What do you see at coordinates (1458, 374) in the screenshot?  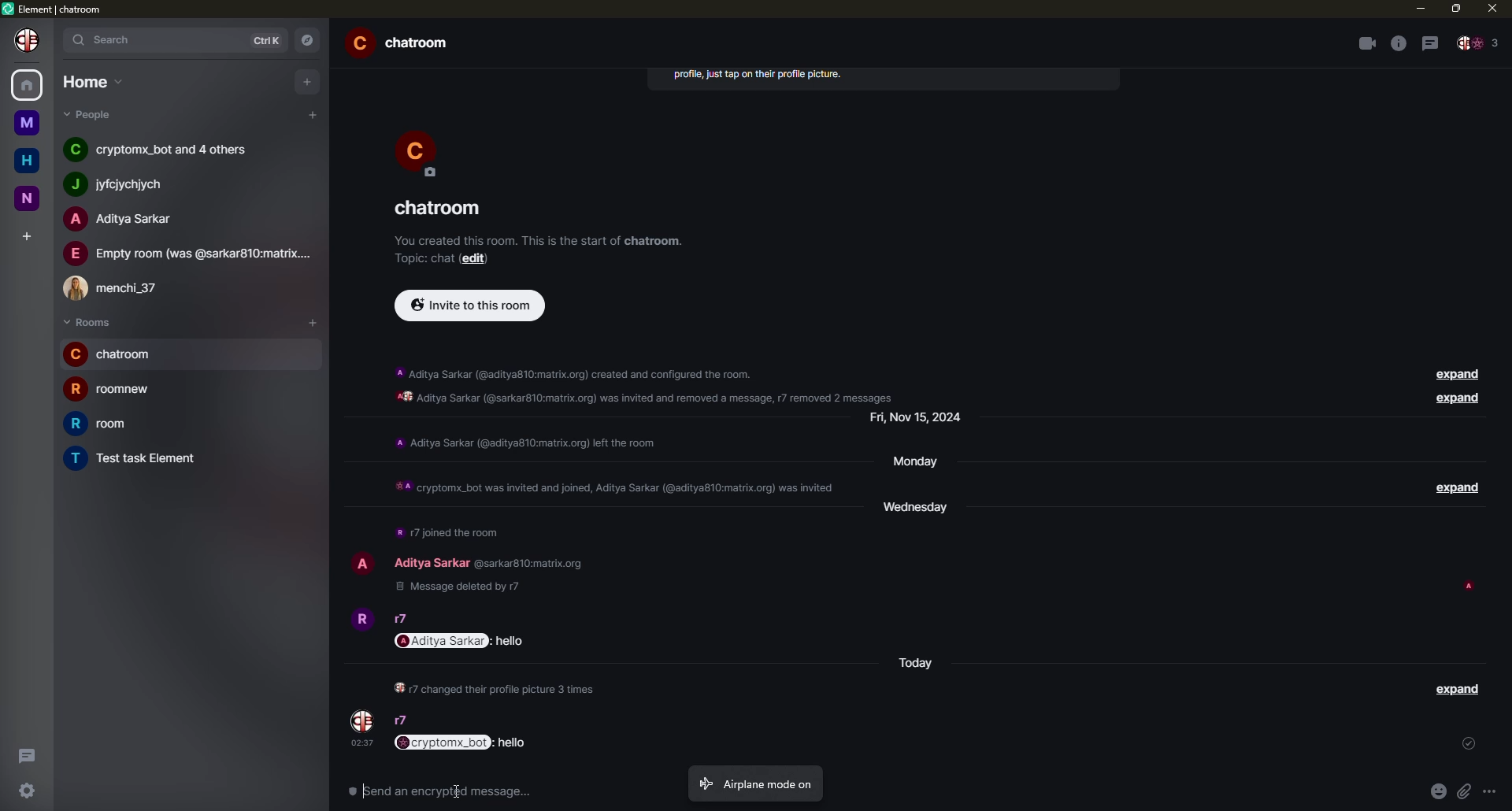 I see `expand` at bounding box center [1458, 374].